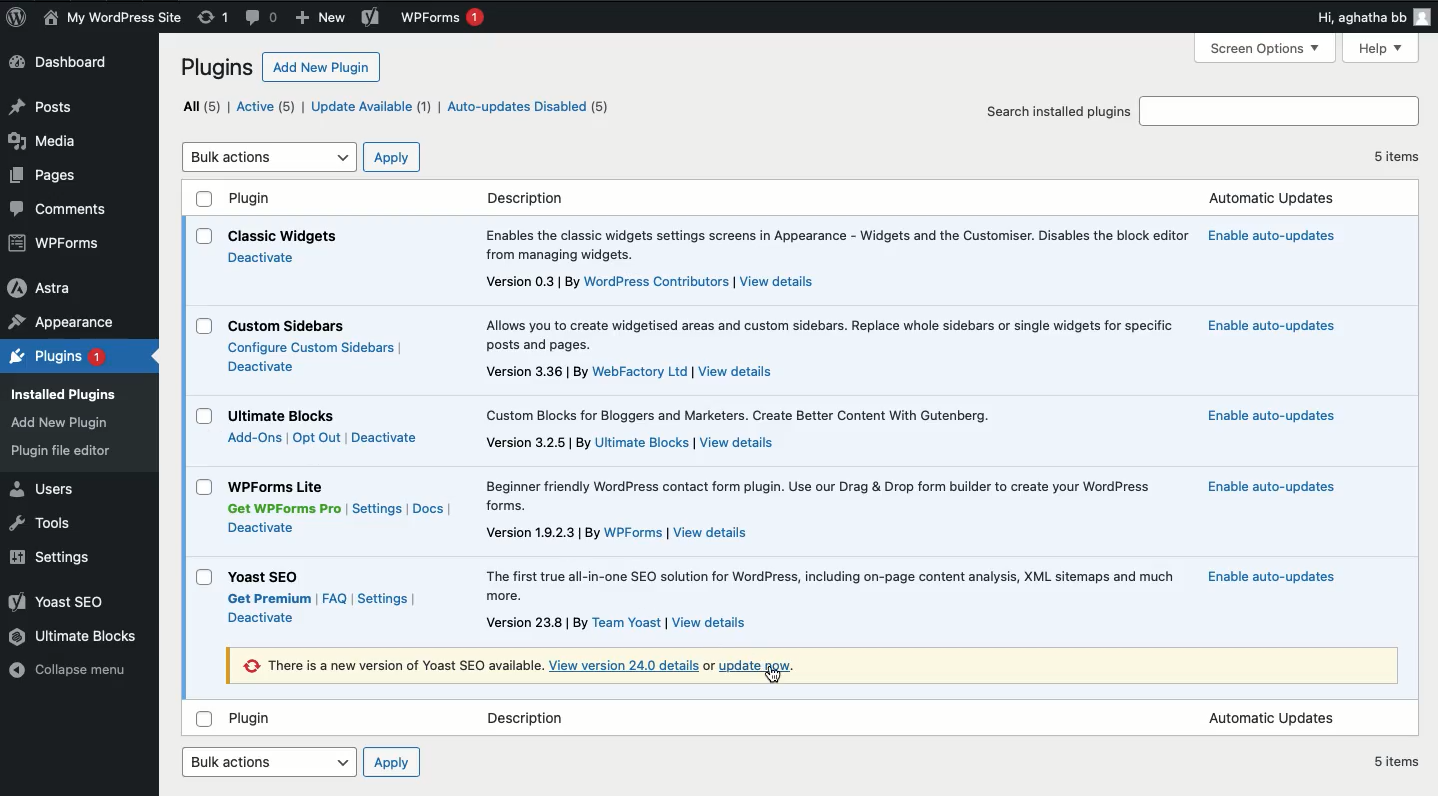  What do you see at coordinates (204, 487) in the screenshot?
I see `Checkbox` at bounding box center [204, 487].